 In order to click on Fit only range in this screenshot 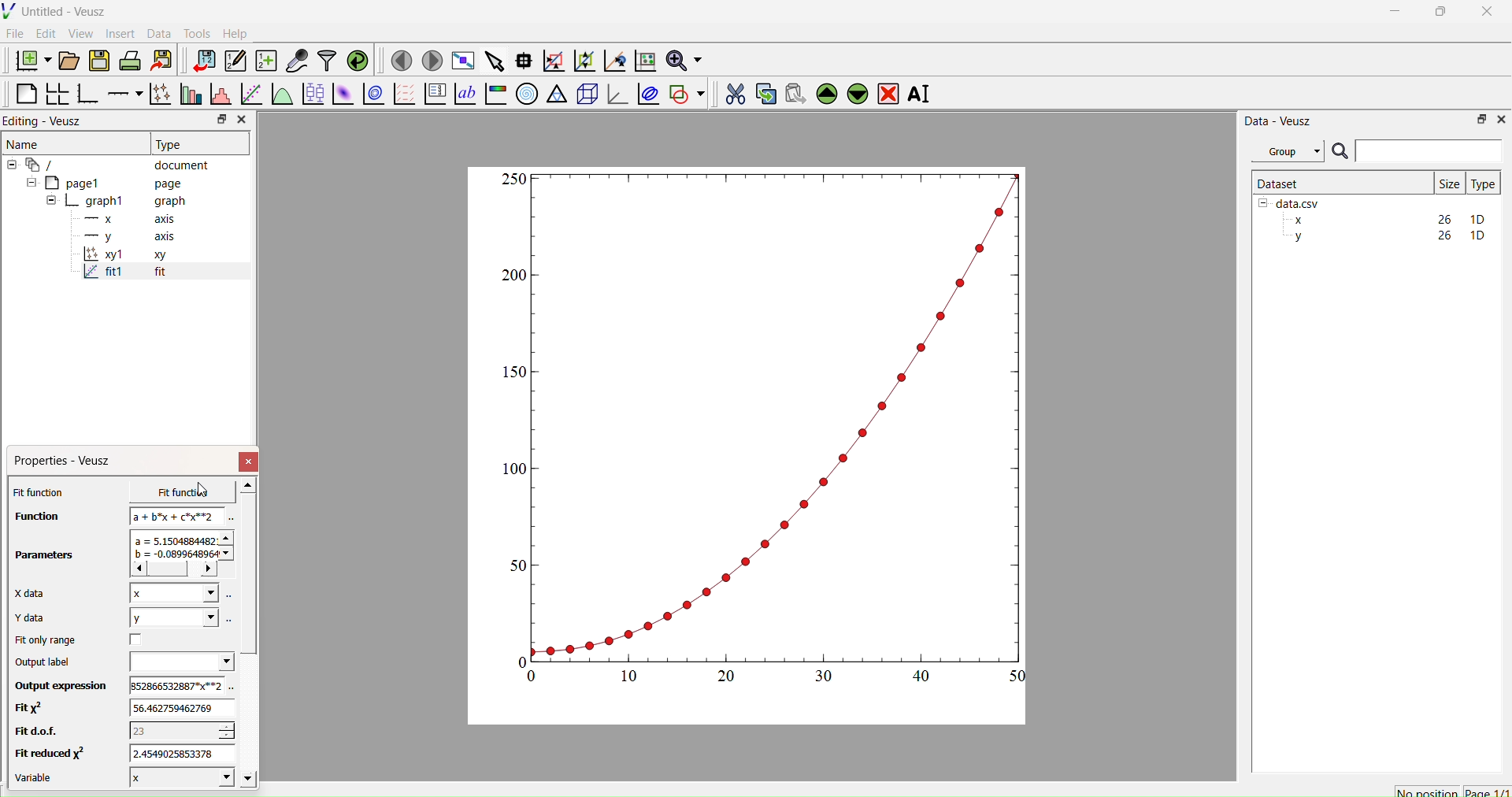, I will do `click(46, 640)`.